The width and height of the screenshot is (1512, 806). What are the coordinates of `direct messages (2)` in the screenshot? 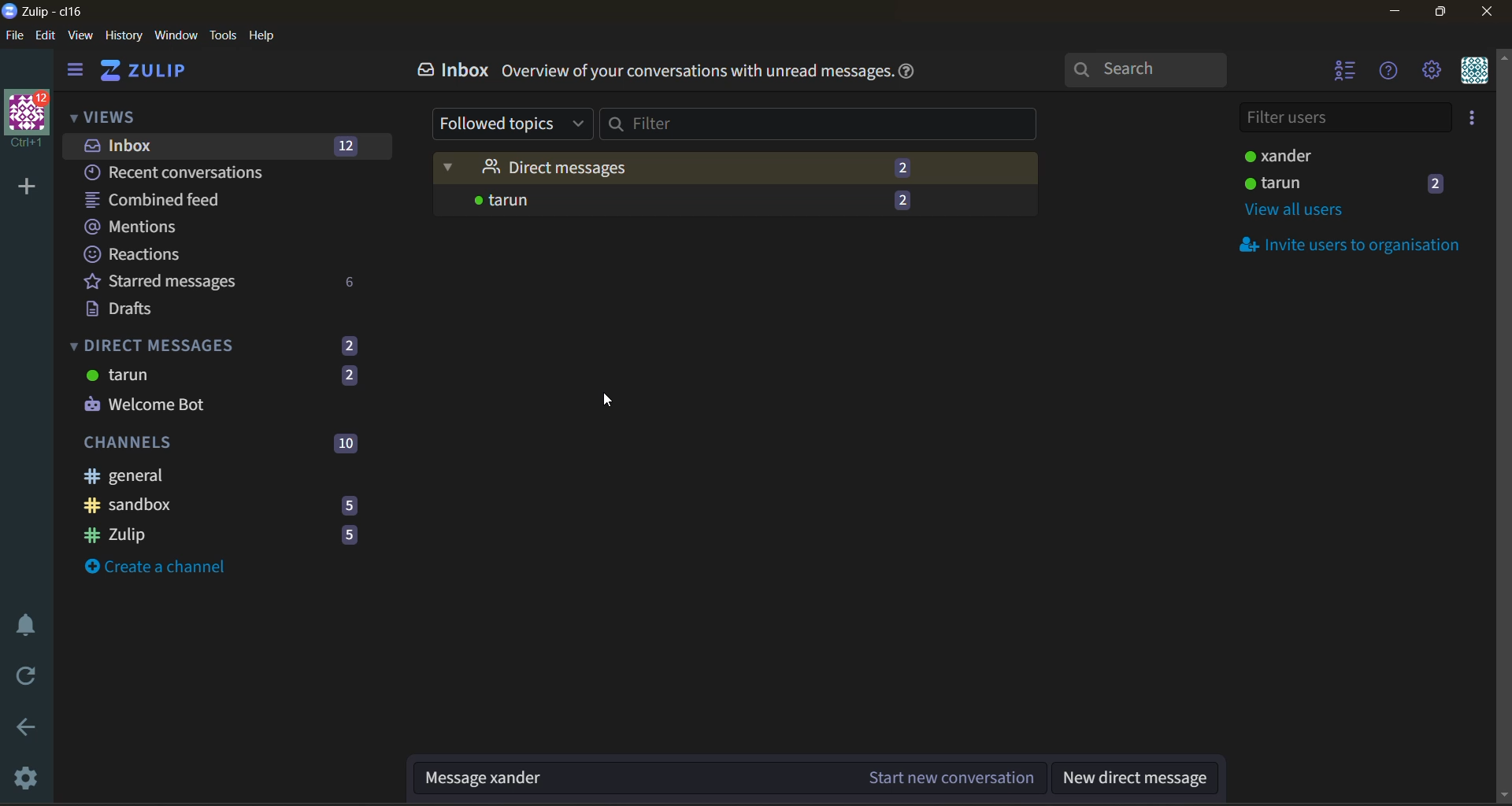 It's located at (229, 345).